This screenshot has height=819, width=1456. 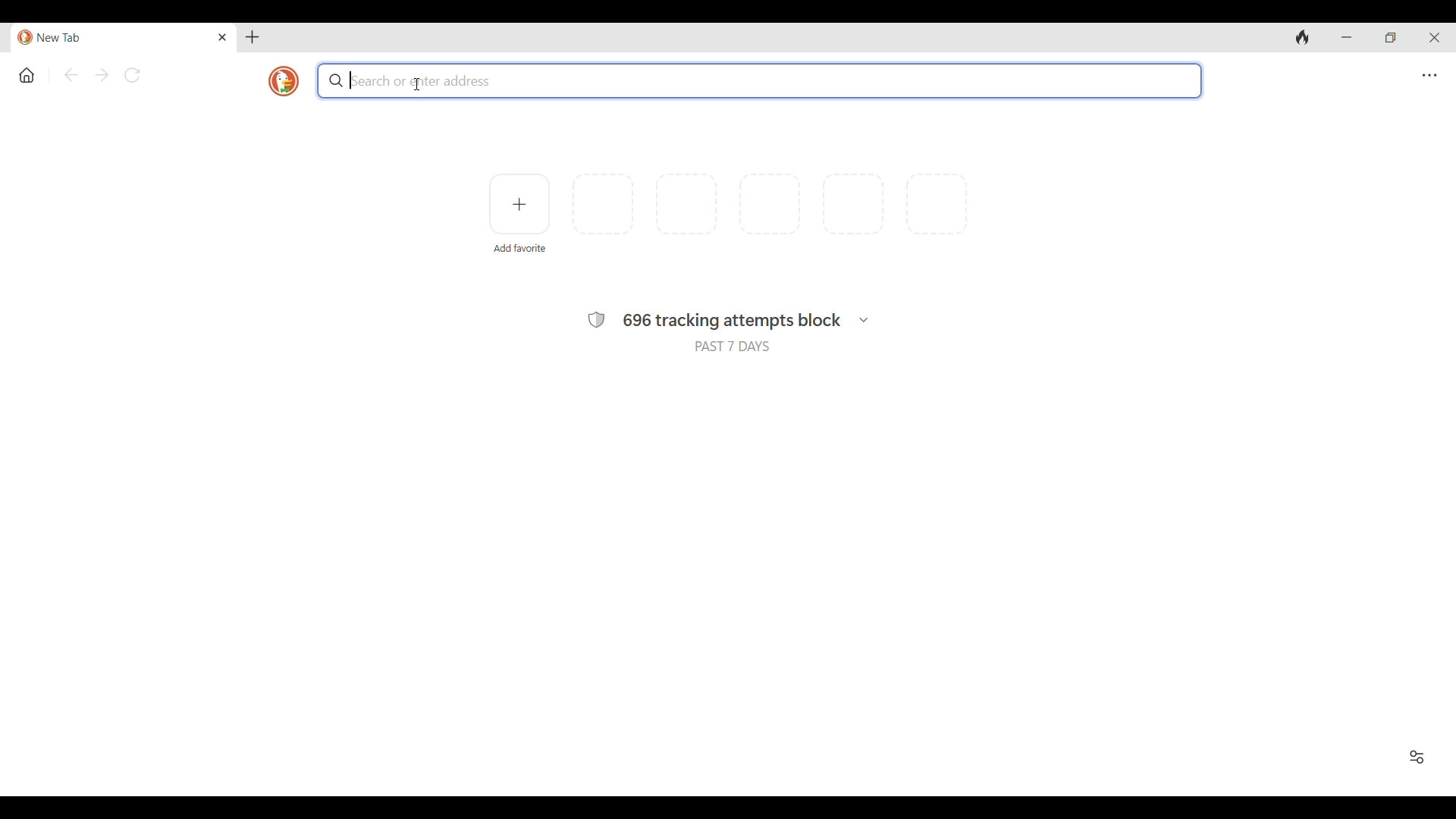 I want to click on Typing in search query into search box, so click(x=761, y=81).